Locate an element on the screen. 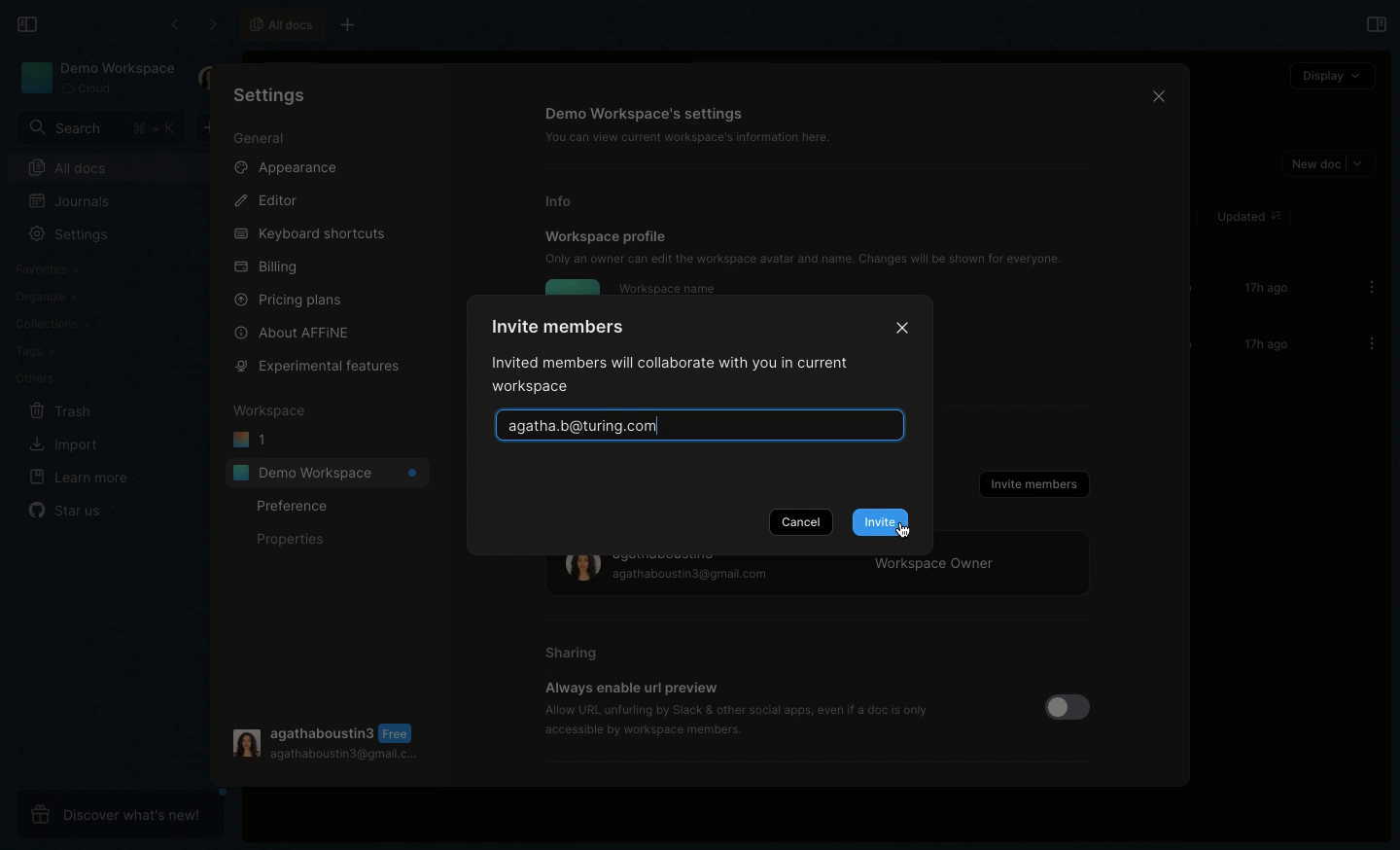 The height and width of the screenshot is (850, 1400). Appearance is located at coordinates (284, 165).